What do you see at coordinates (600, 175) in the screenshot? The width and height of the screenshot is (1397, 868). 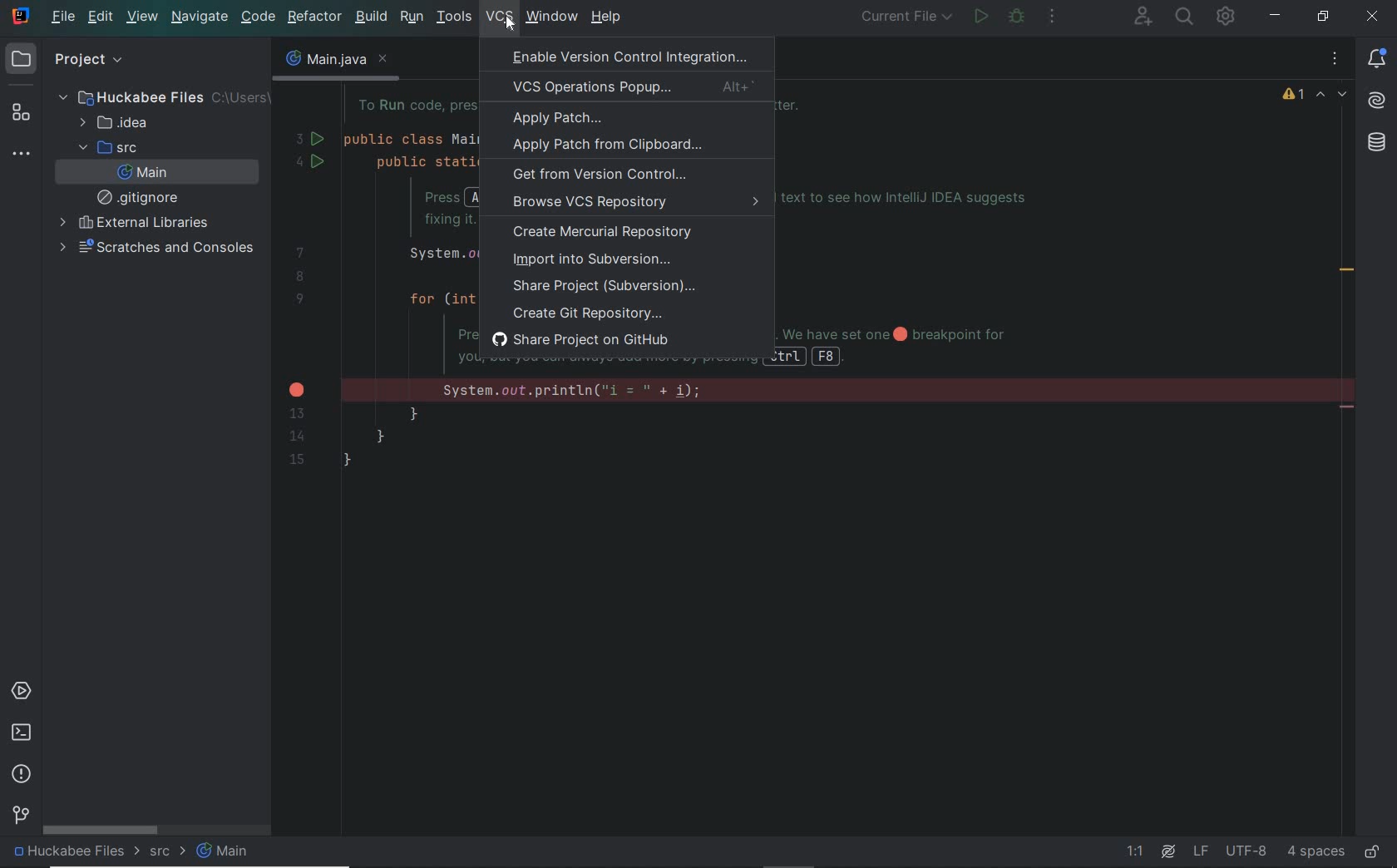 I see `get from version control` at bounding box center [600, 175].